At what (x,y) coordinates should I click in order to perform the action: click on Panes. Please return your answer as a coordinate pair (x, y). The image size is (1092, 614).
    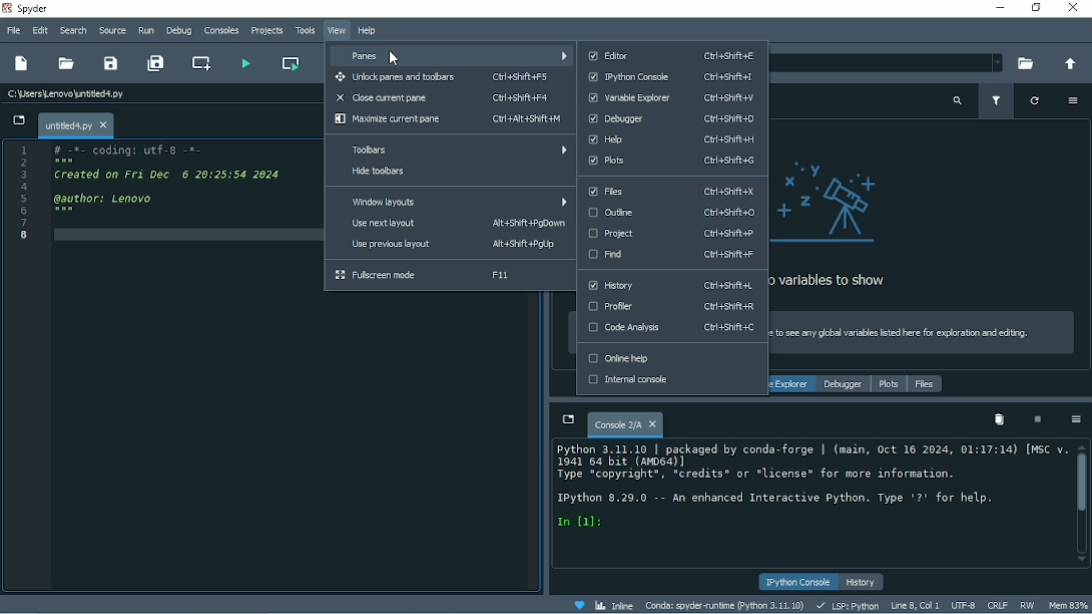
    Looking at the image, I should click on (450, 57).